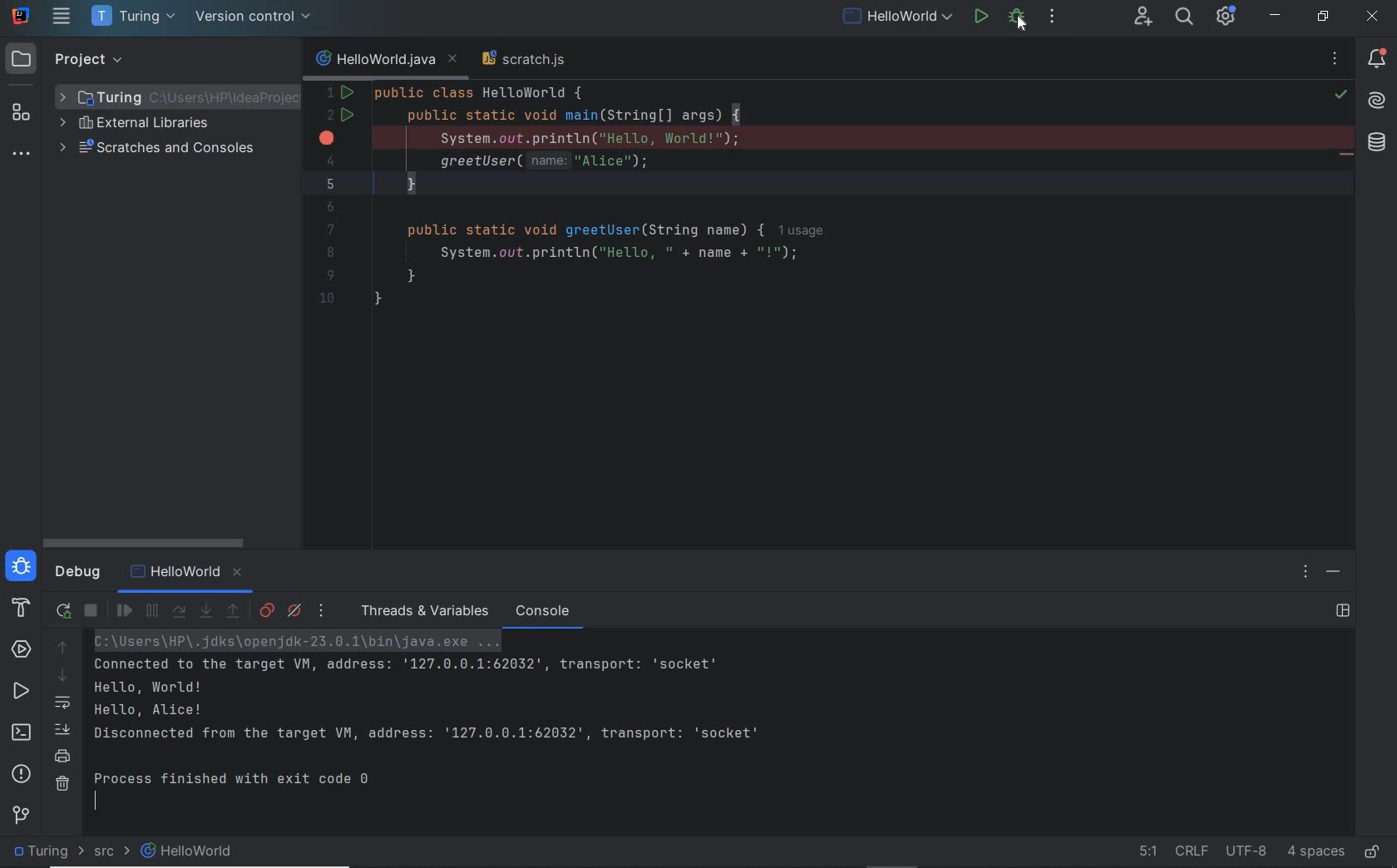 This screenshot has height=868, width=1397. Describe the element at coordinates (62, 649) in the screenshot. I see `up the stack trace` at that location.